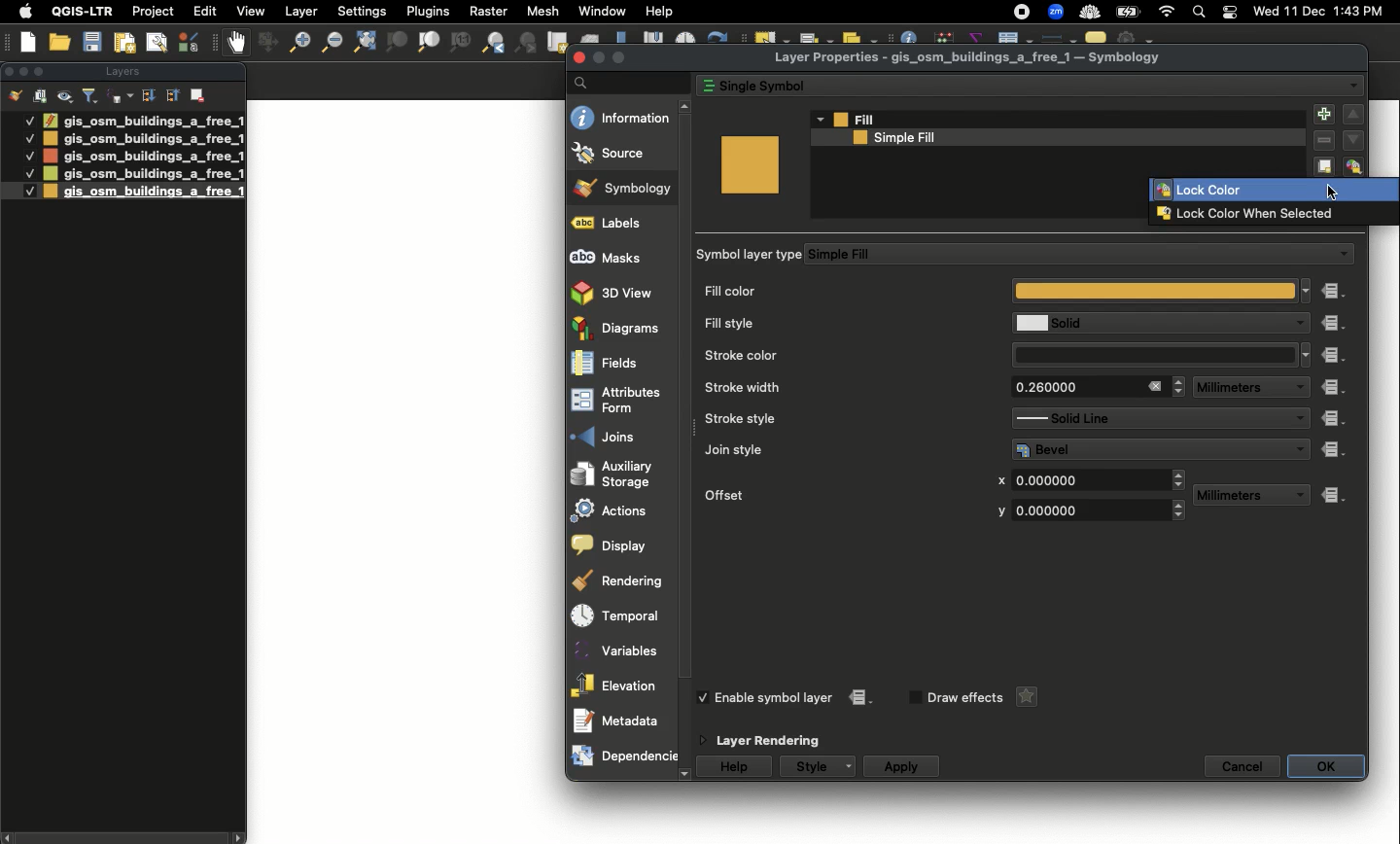  Describe the element at coordinates (1142, 418) in the screenshot. I see `Solid Line` at that location.